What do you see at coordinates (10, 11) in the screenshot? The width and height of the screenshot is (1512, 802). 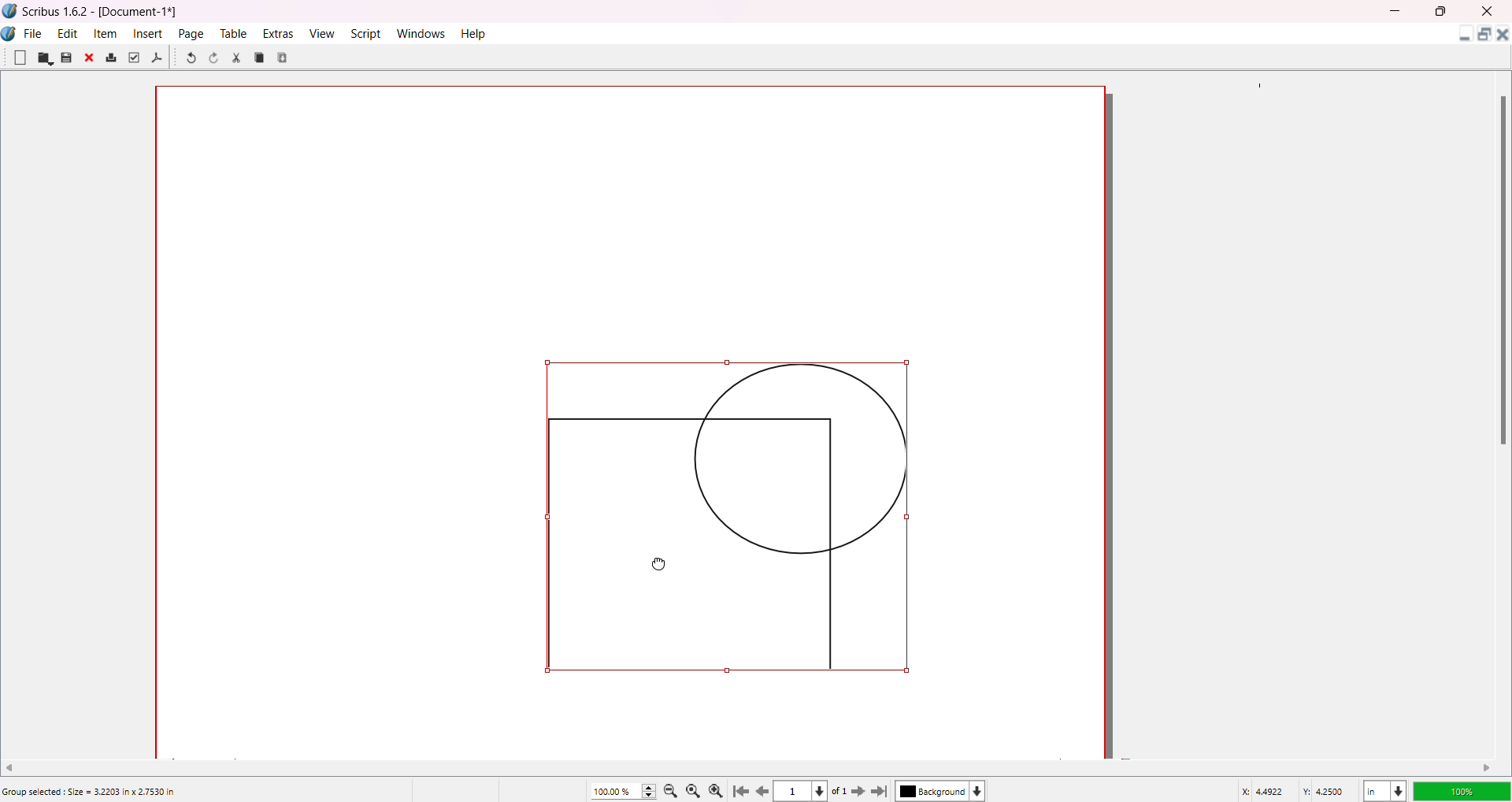 I see `Logo` at bounding box center [10, 11].